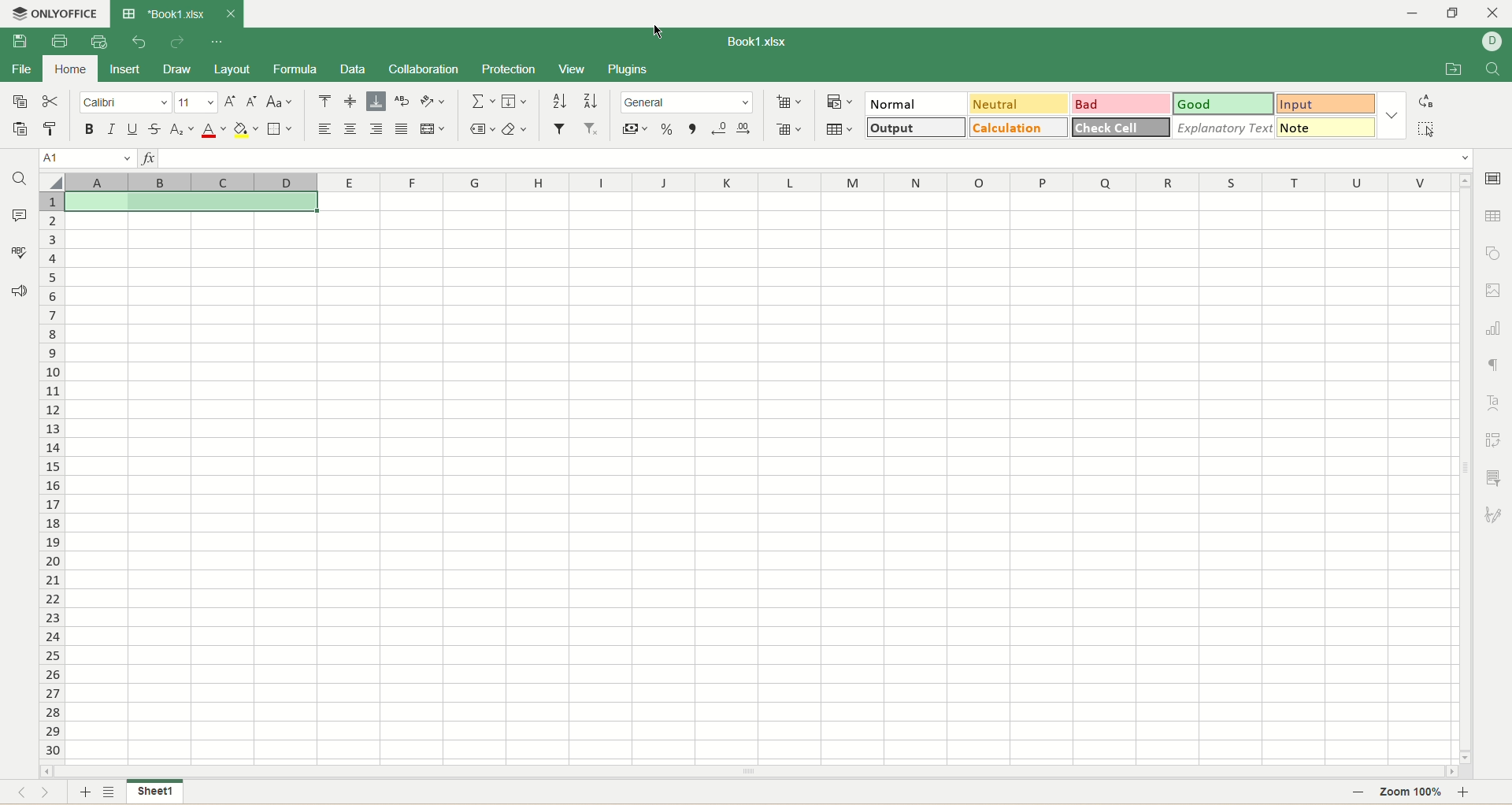 Image resolution: width=1512 pixels, height=805 pixels. What do you see at coordinates (21, 128) in the screenshot?
I see `paste` at bounding box center [21, 128].